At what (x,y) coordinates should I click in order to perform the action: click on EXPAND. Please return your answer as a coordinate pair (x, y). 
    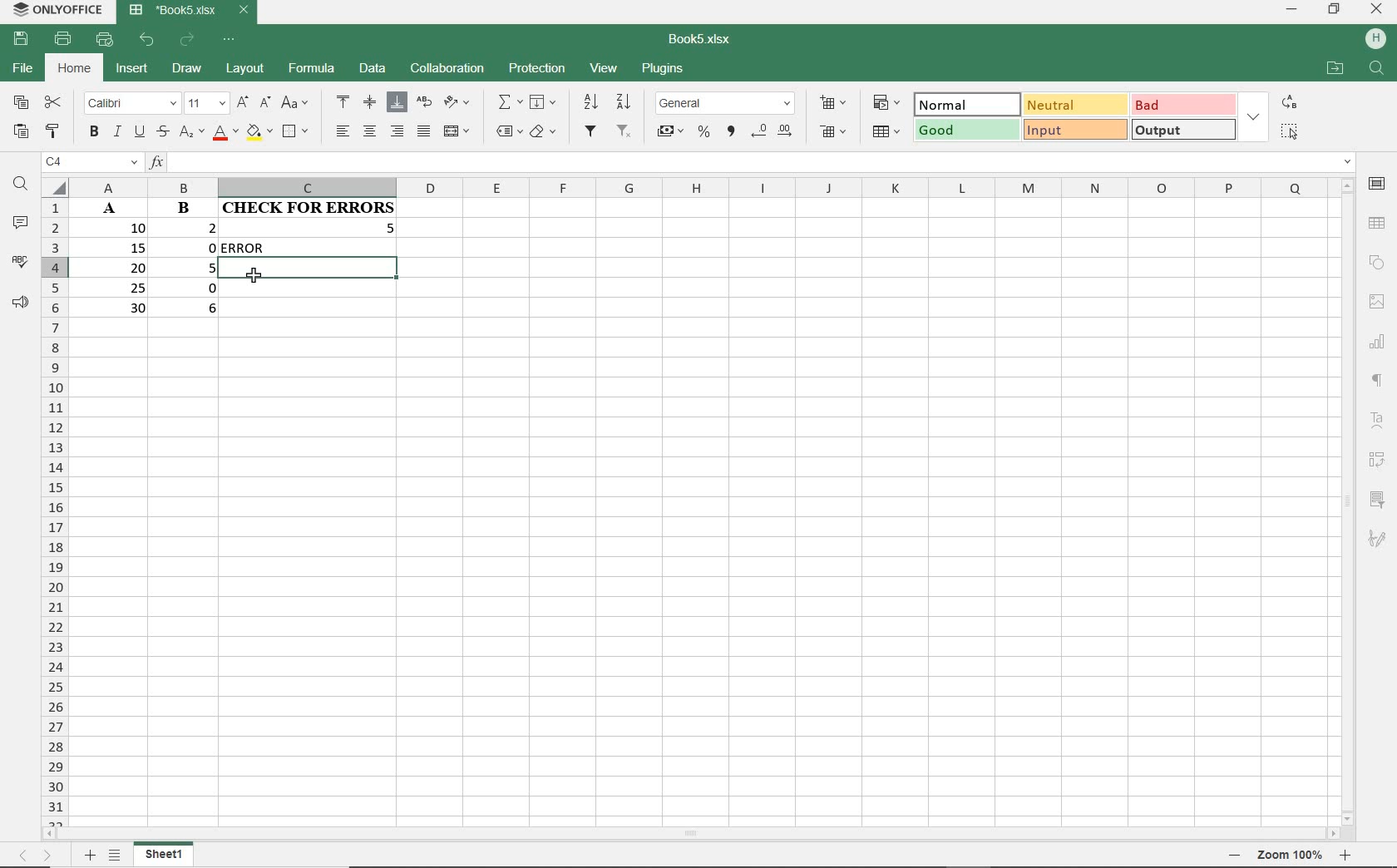
    Looking at the image, I should click on (1254, 115).